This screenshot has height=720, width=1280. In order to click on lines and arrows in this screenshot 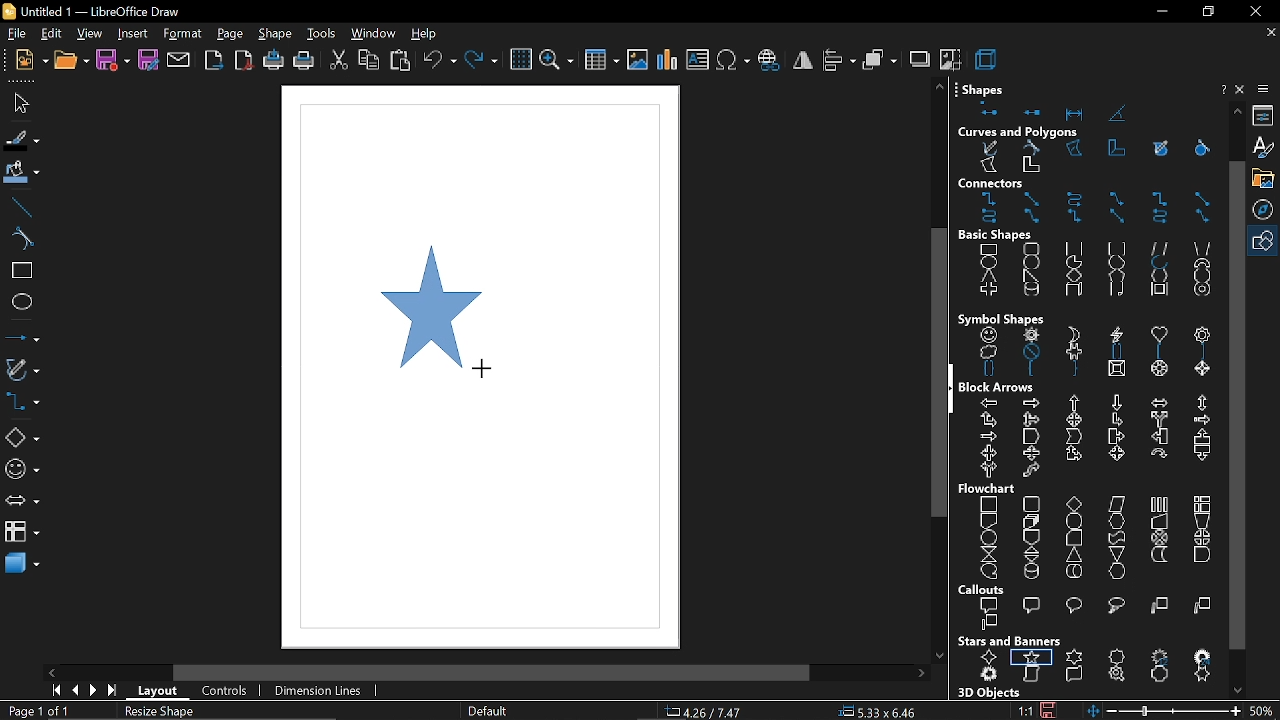, I will do `click(22, 340)`.